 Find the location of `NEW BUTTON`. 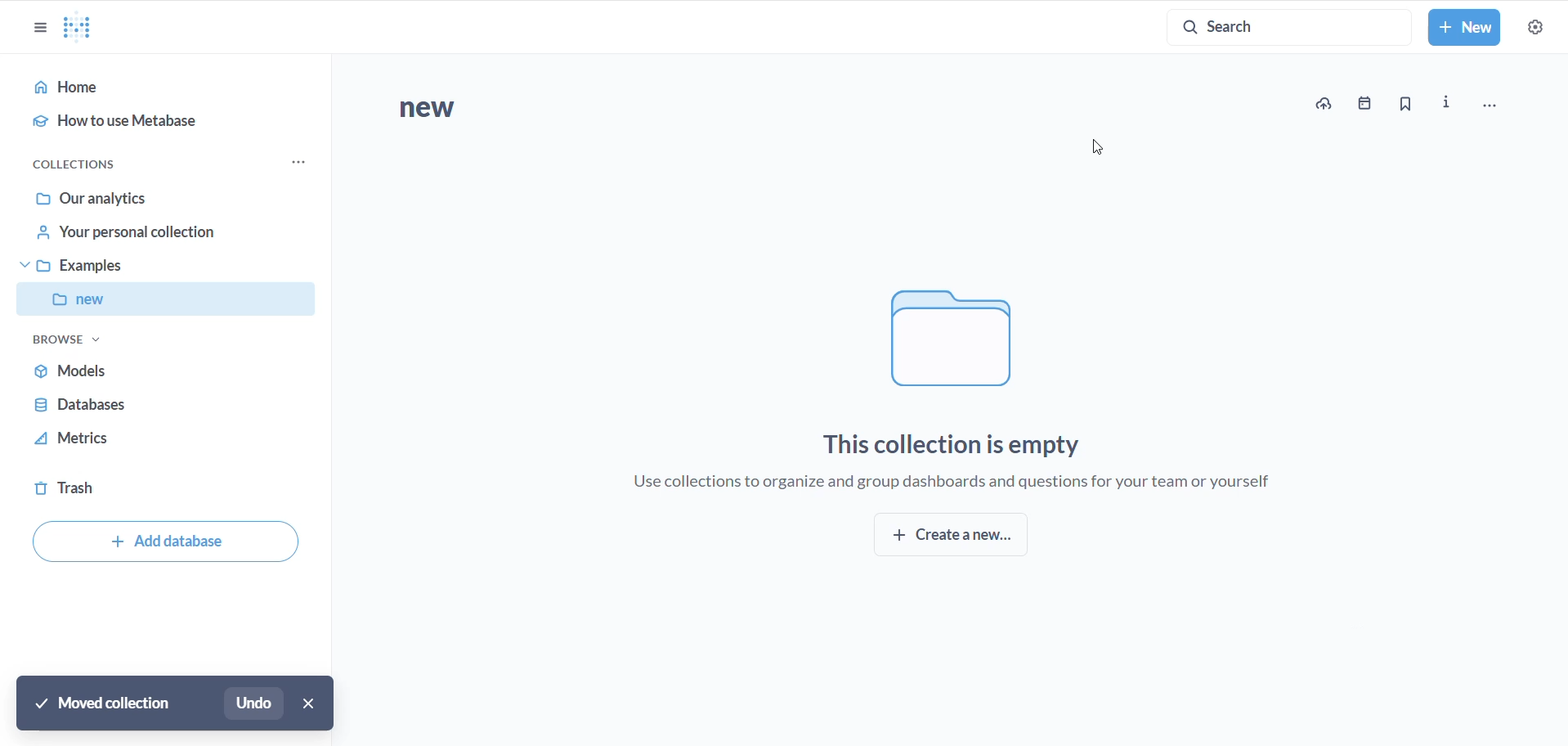

NEW BUTTON is located at coordinates (1465, 29).